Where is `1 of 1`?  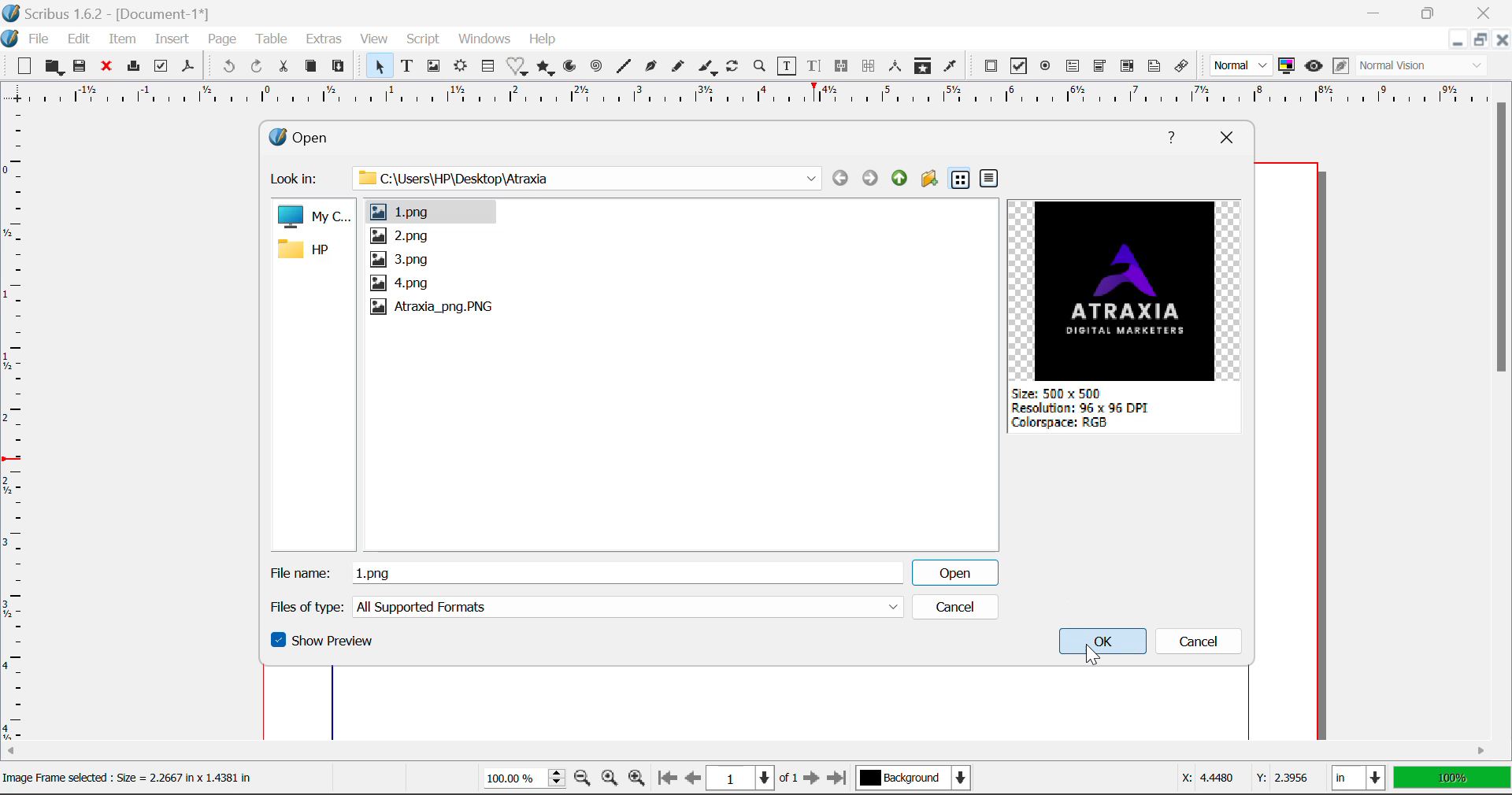 1 of 1 is located at coordinates (753, 778).